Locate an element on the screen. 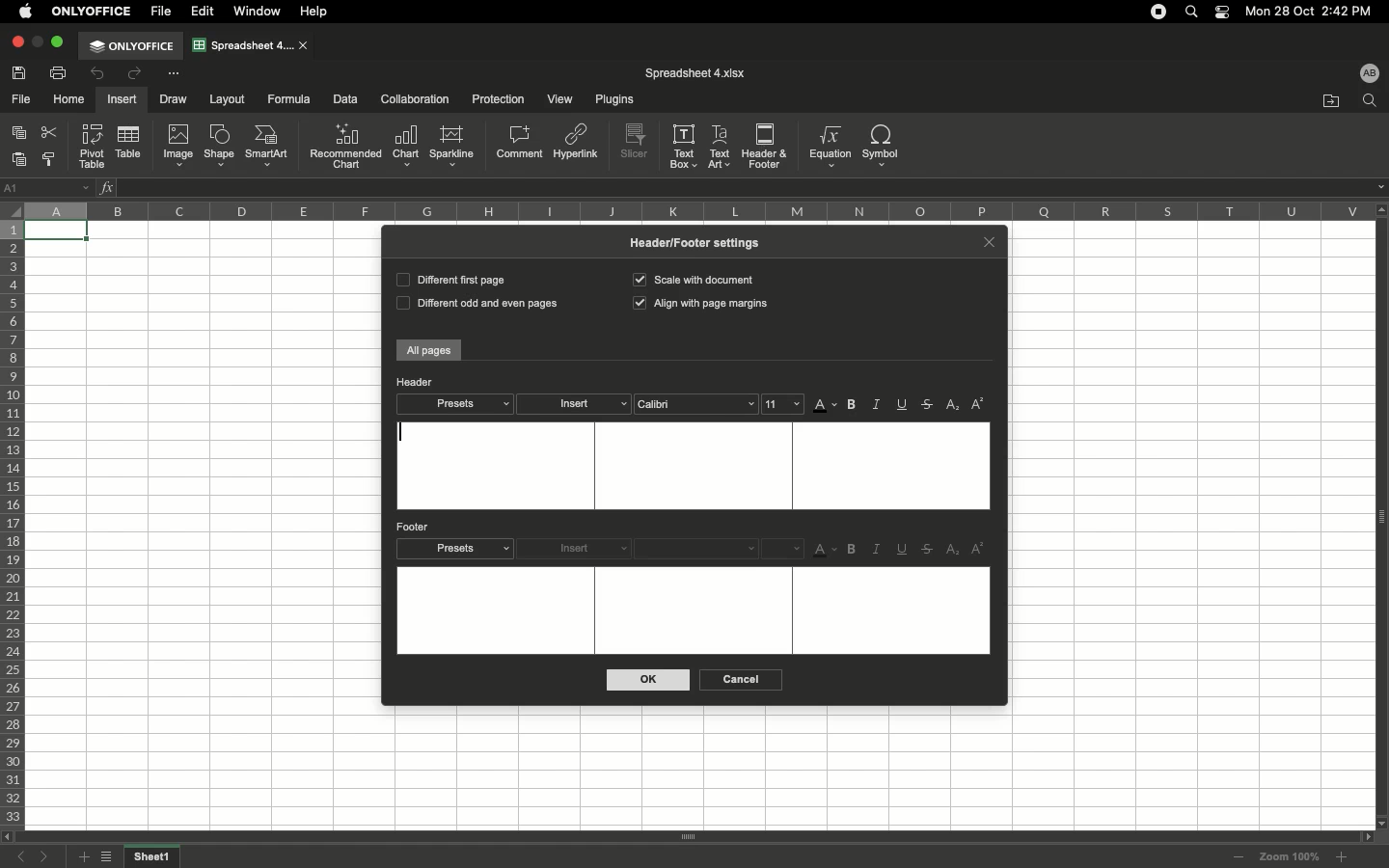 This screenshot has width=1389, height=868. Text box is located at coordinates (684, 146).